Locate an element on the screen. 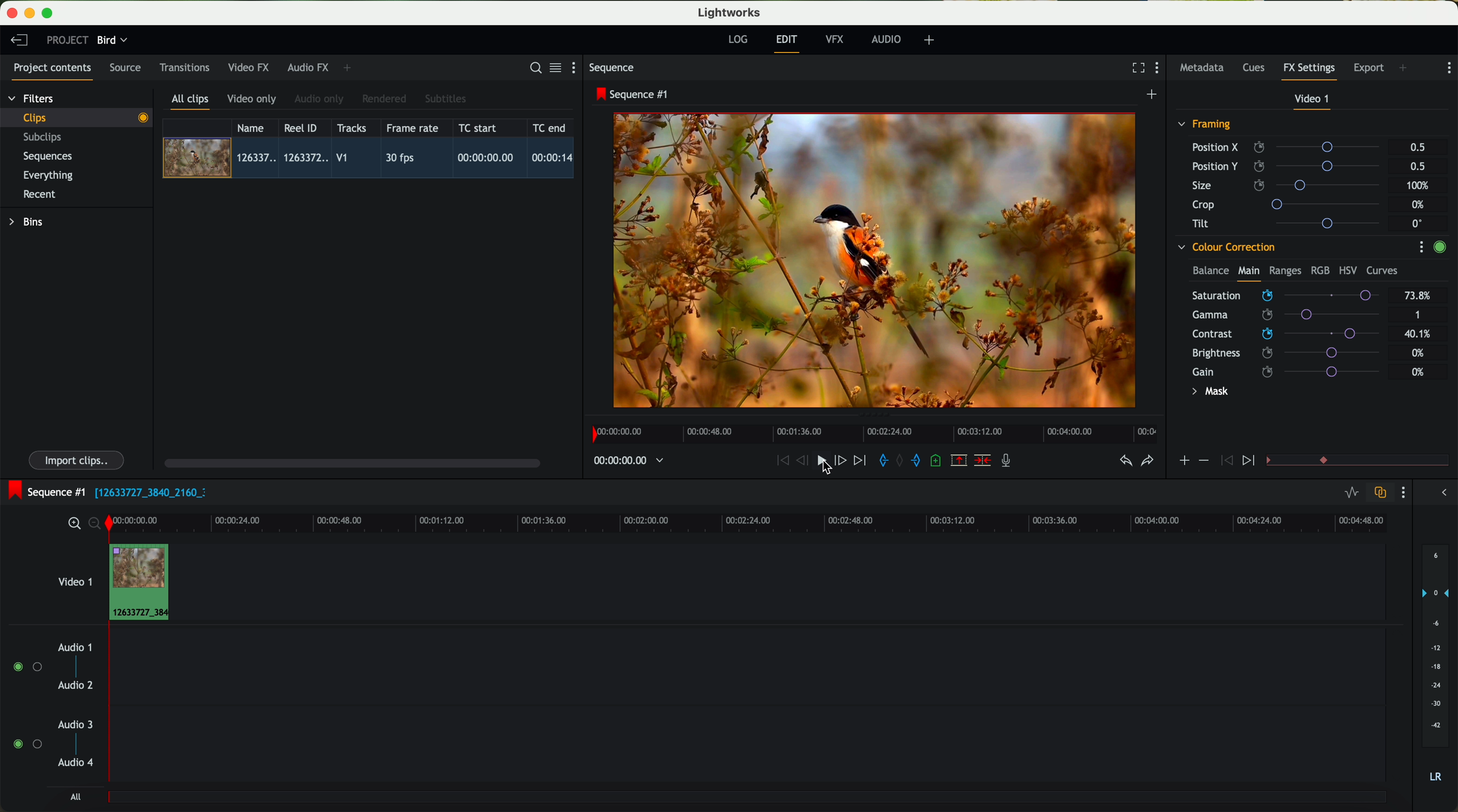  everything is located at coordinates (49, 175).